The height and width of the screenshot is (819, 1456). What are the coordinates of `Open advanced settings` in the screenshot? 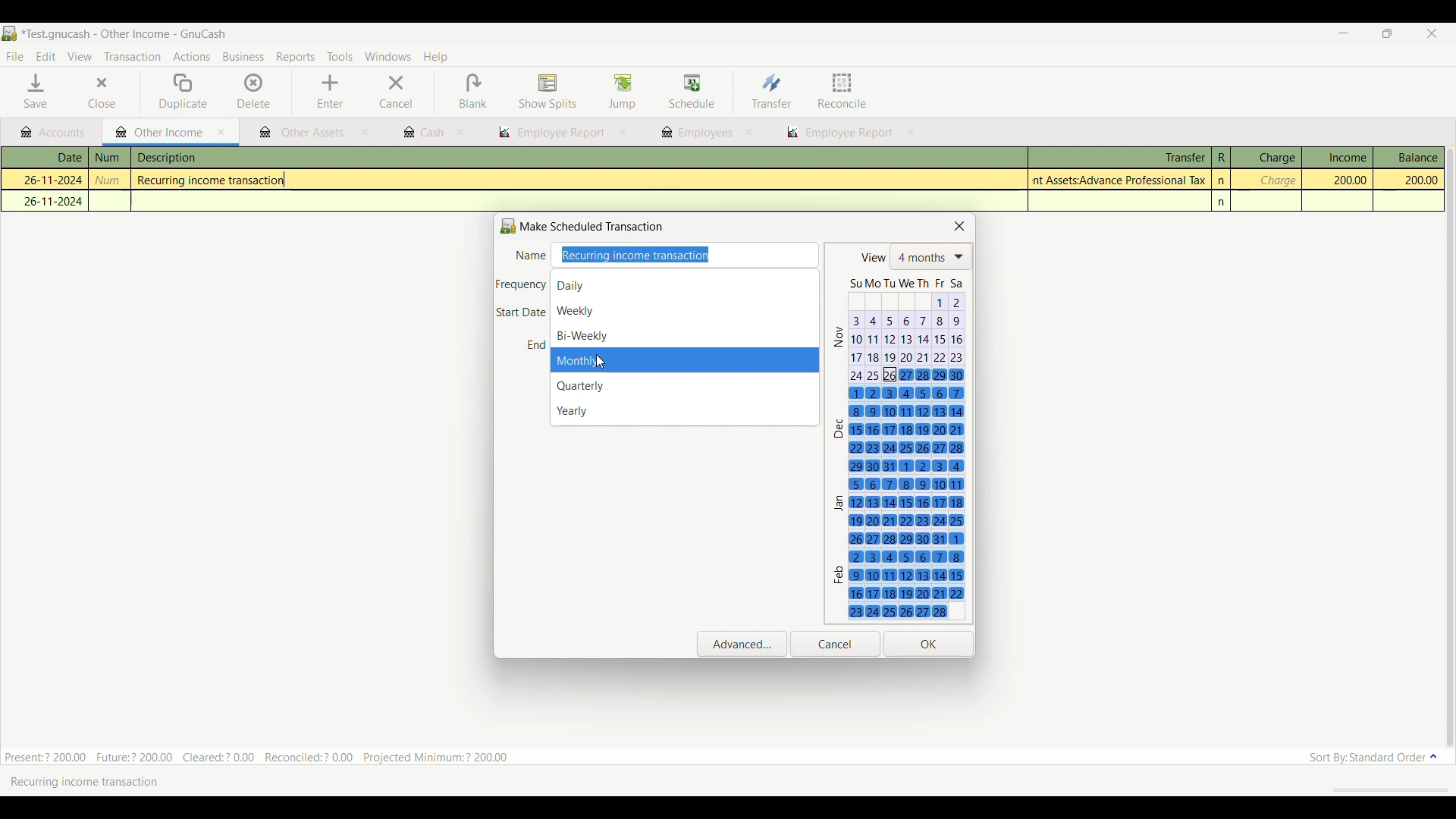 It's located at (742, 644).